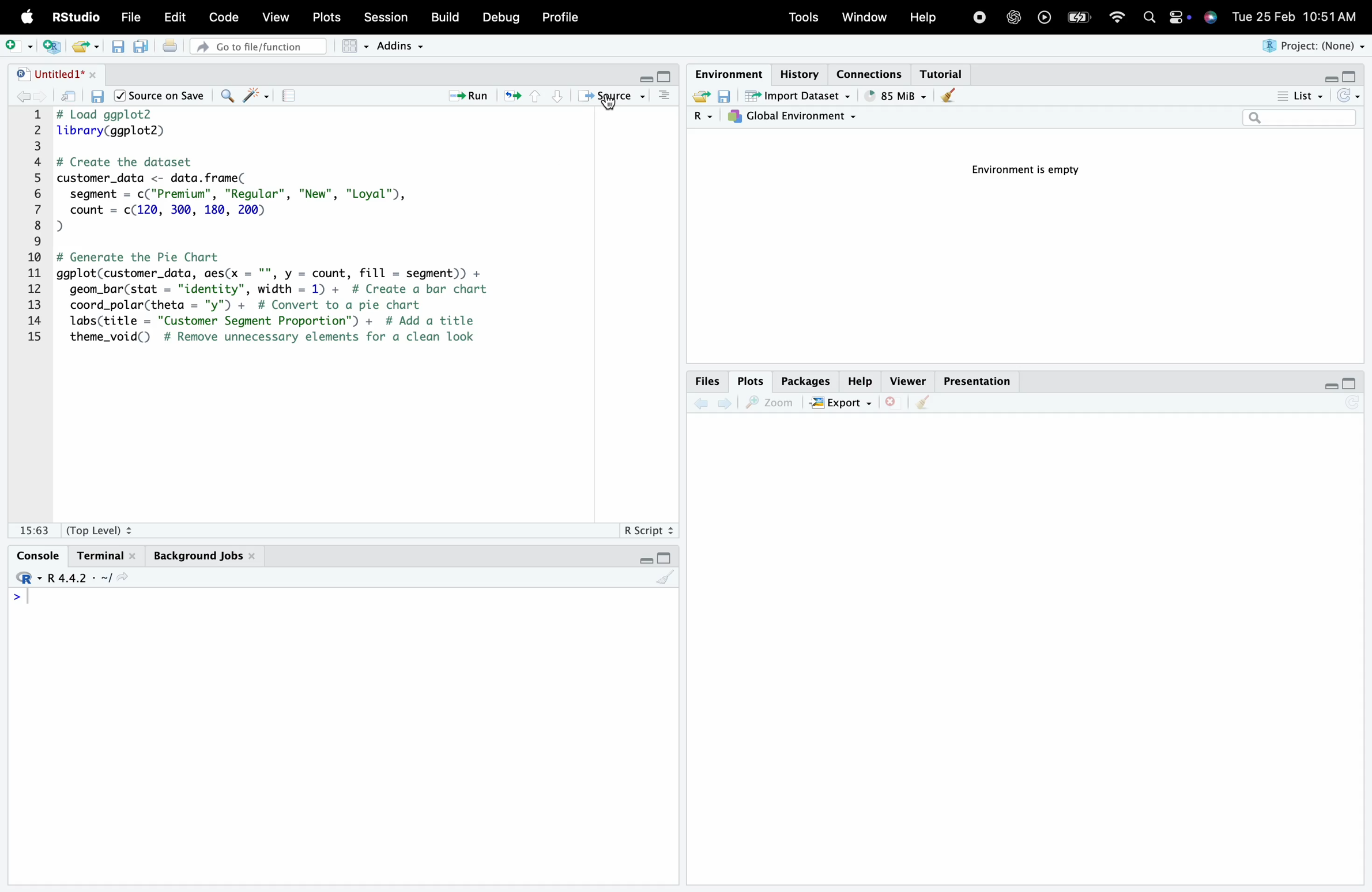  Describe the element at coordinates (227, 17) in the screenshot. I see `Code` at that location.